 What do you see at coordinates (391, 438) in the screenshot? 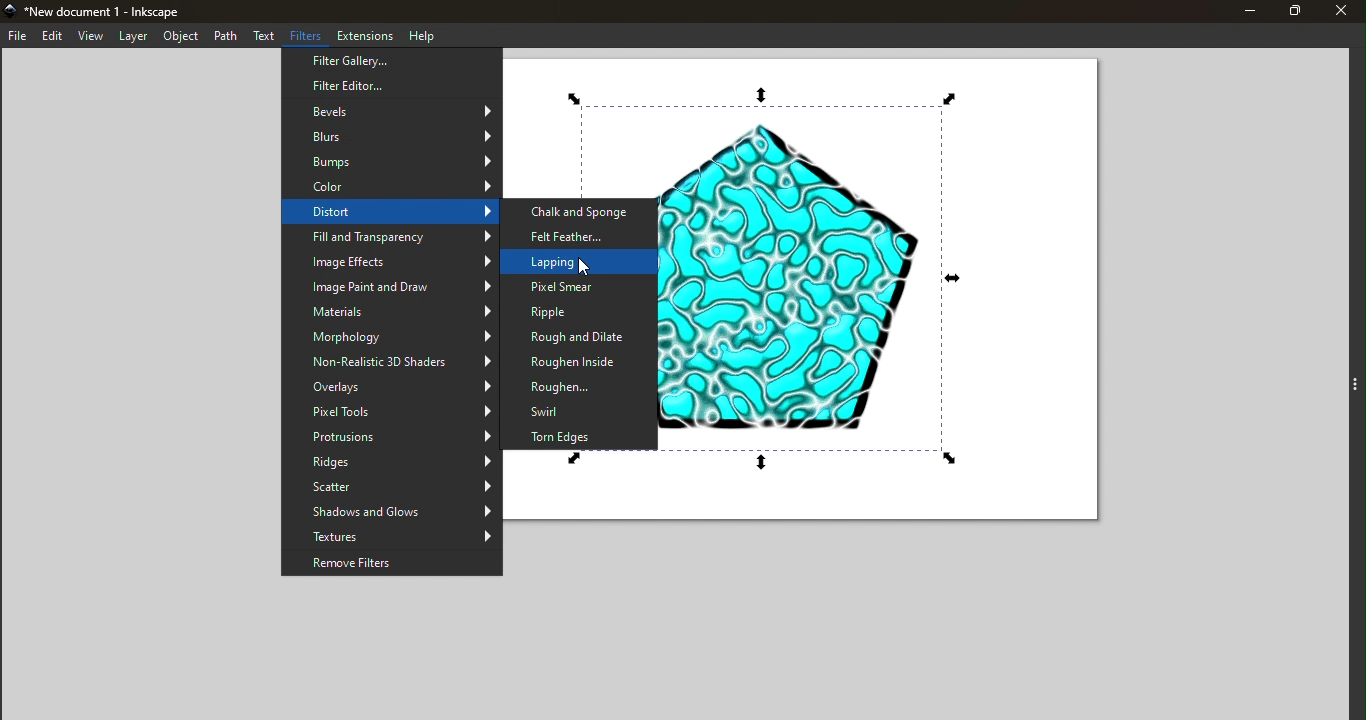
I see `Protrusions` at bounding box center [391, 438].